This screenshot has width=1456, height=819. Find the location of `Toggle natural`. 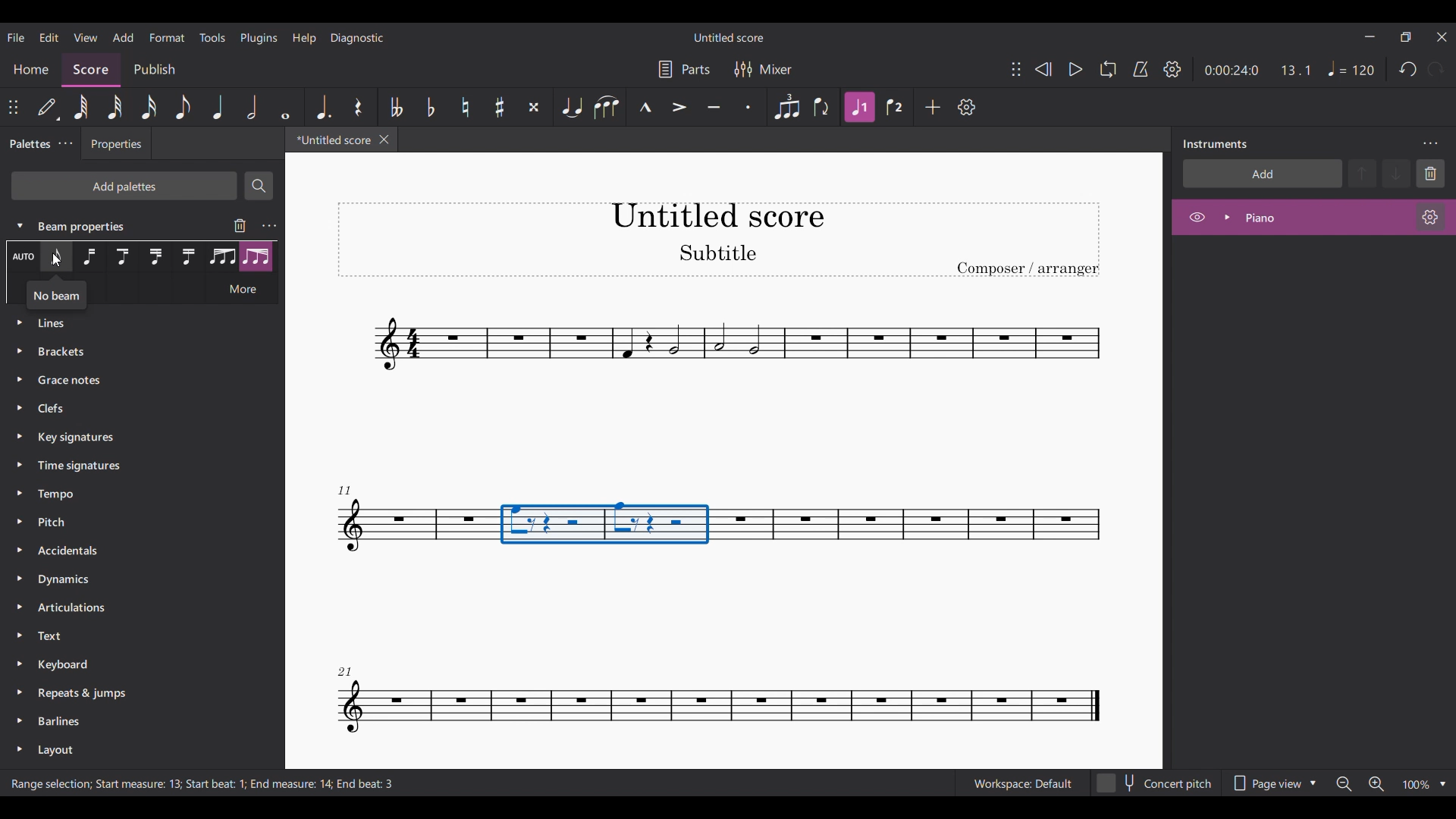

Toggle natural is located at coordinates (465, 107).